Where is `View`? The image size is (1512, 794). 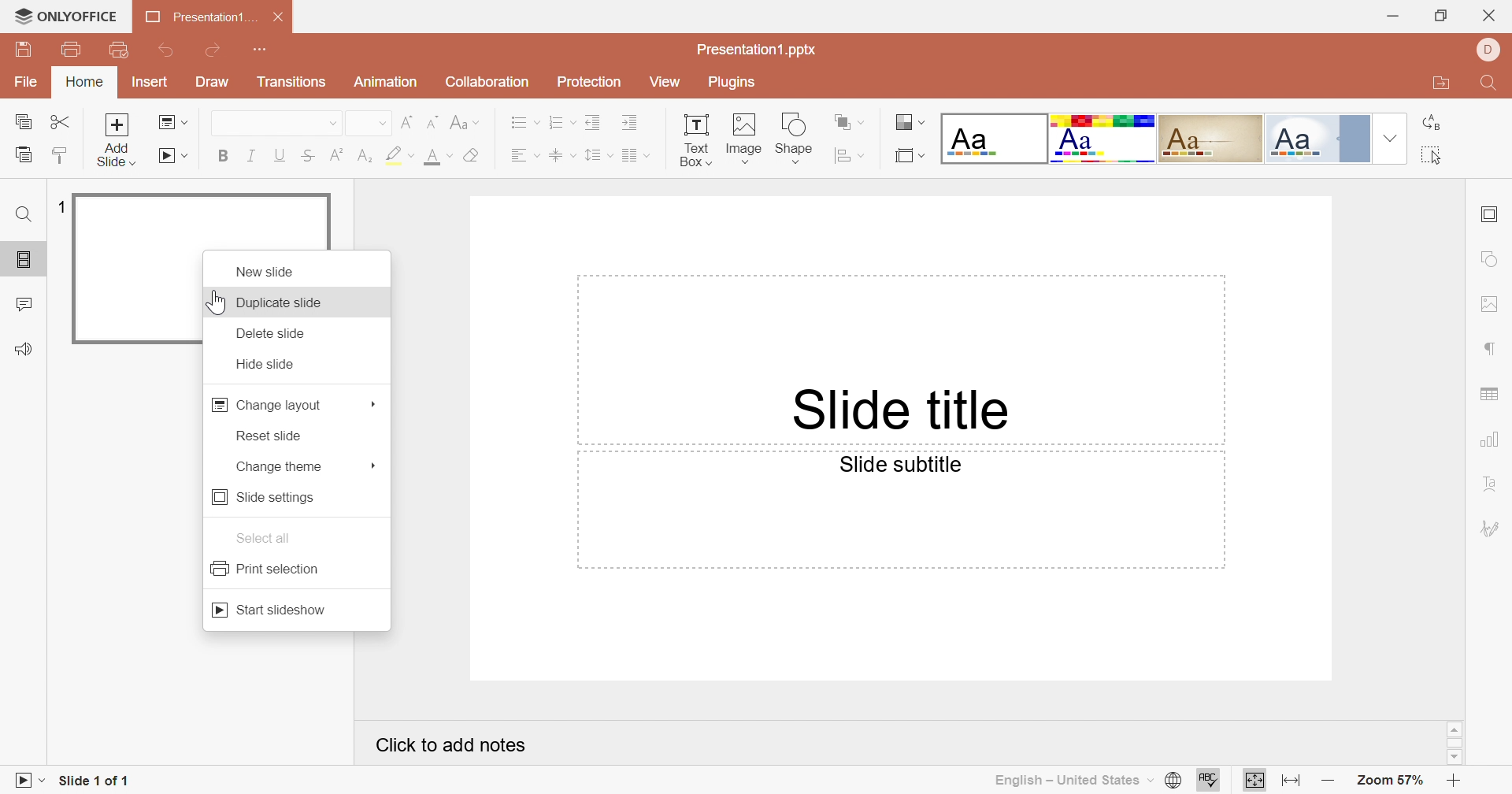
View is located at coordinates (664, 81).